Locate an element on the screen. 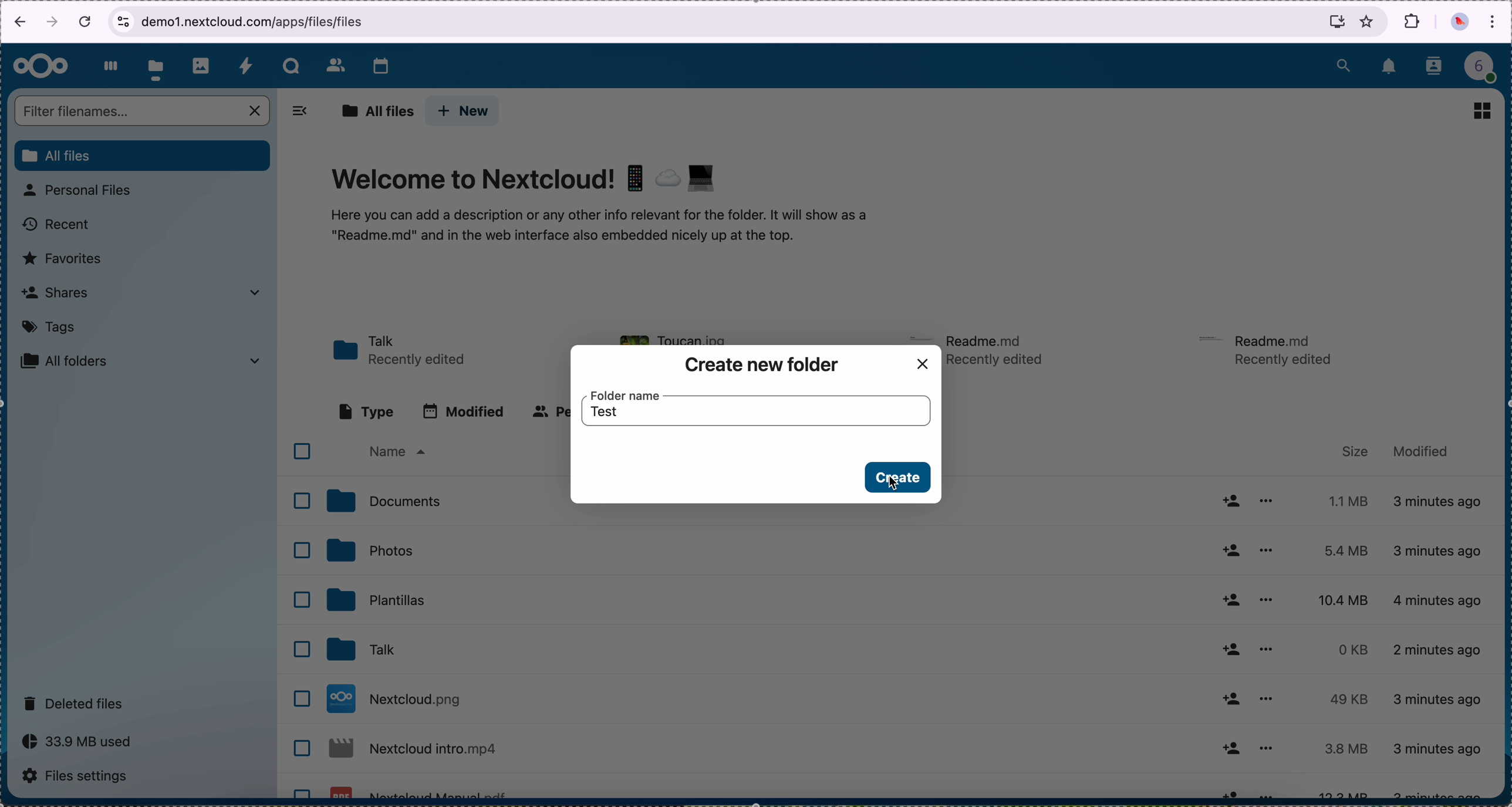 The image size is (1512, 807). URL is located at coordinates (248, 21).